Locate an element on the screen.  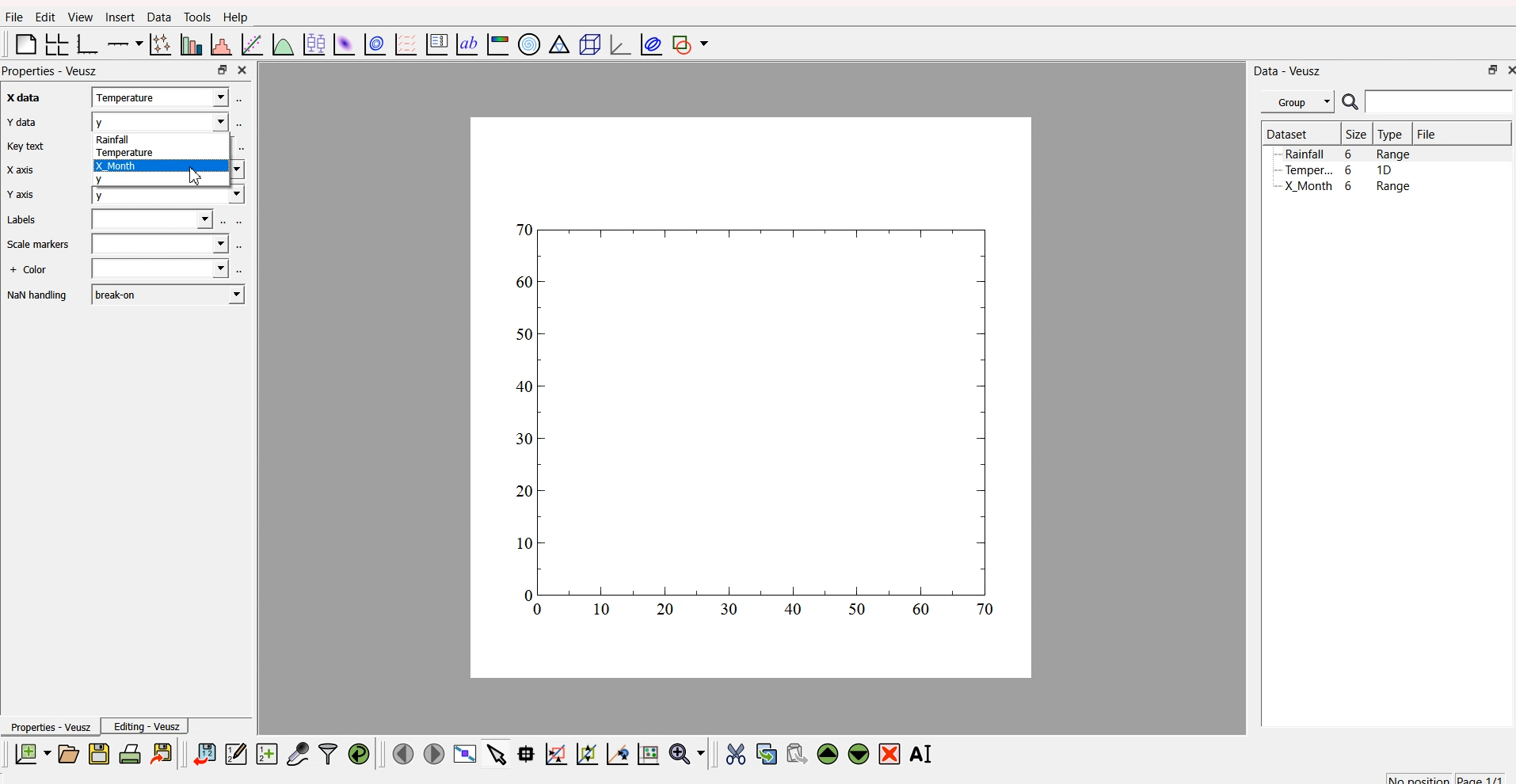
x axis is located at coordinates (19, 99).